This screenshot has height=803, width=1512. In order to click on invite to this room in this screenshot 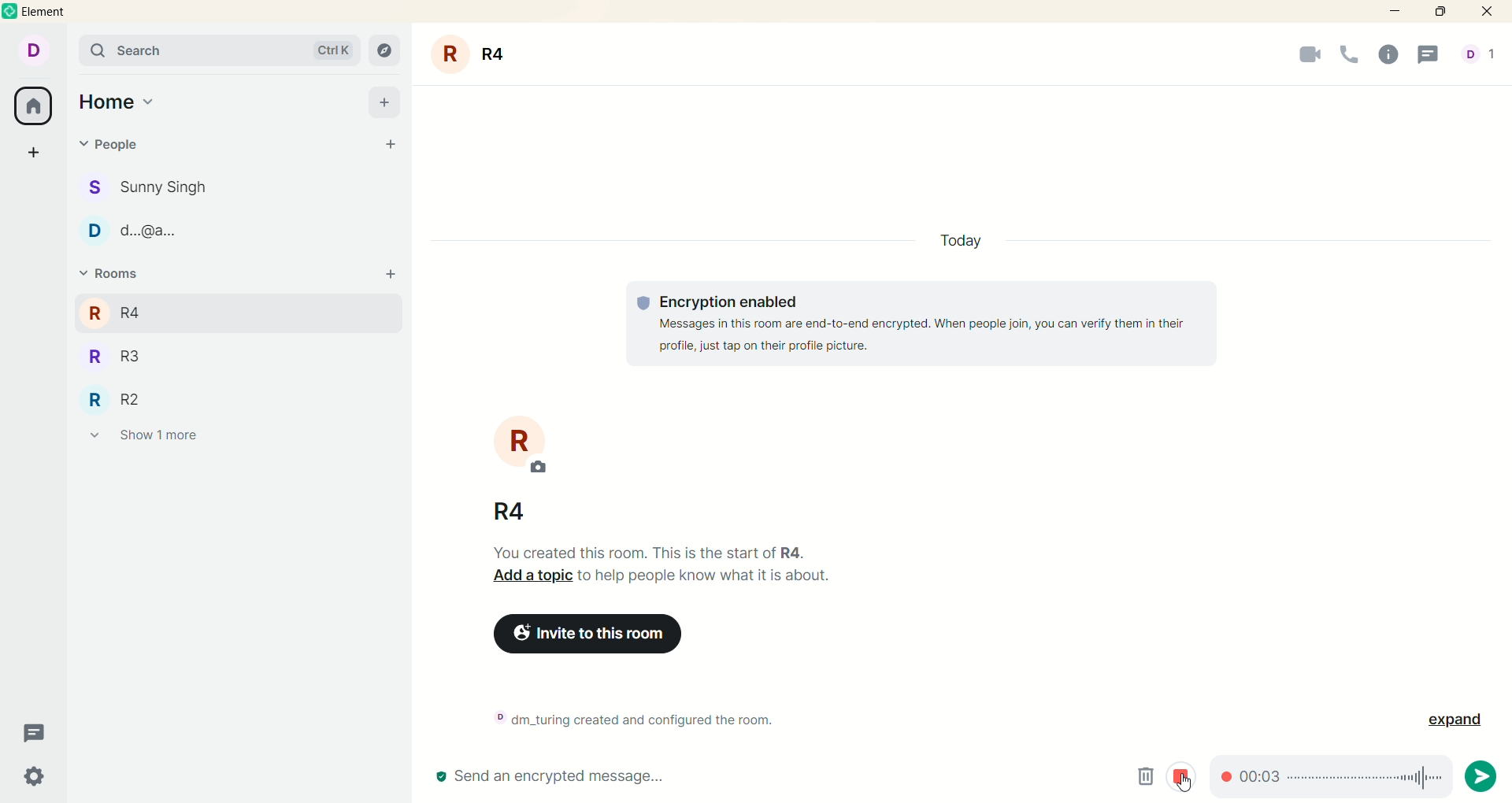, I will do `click(613, 637)`.